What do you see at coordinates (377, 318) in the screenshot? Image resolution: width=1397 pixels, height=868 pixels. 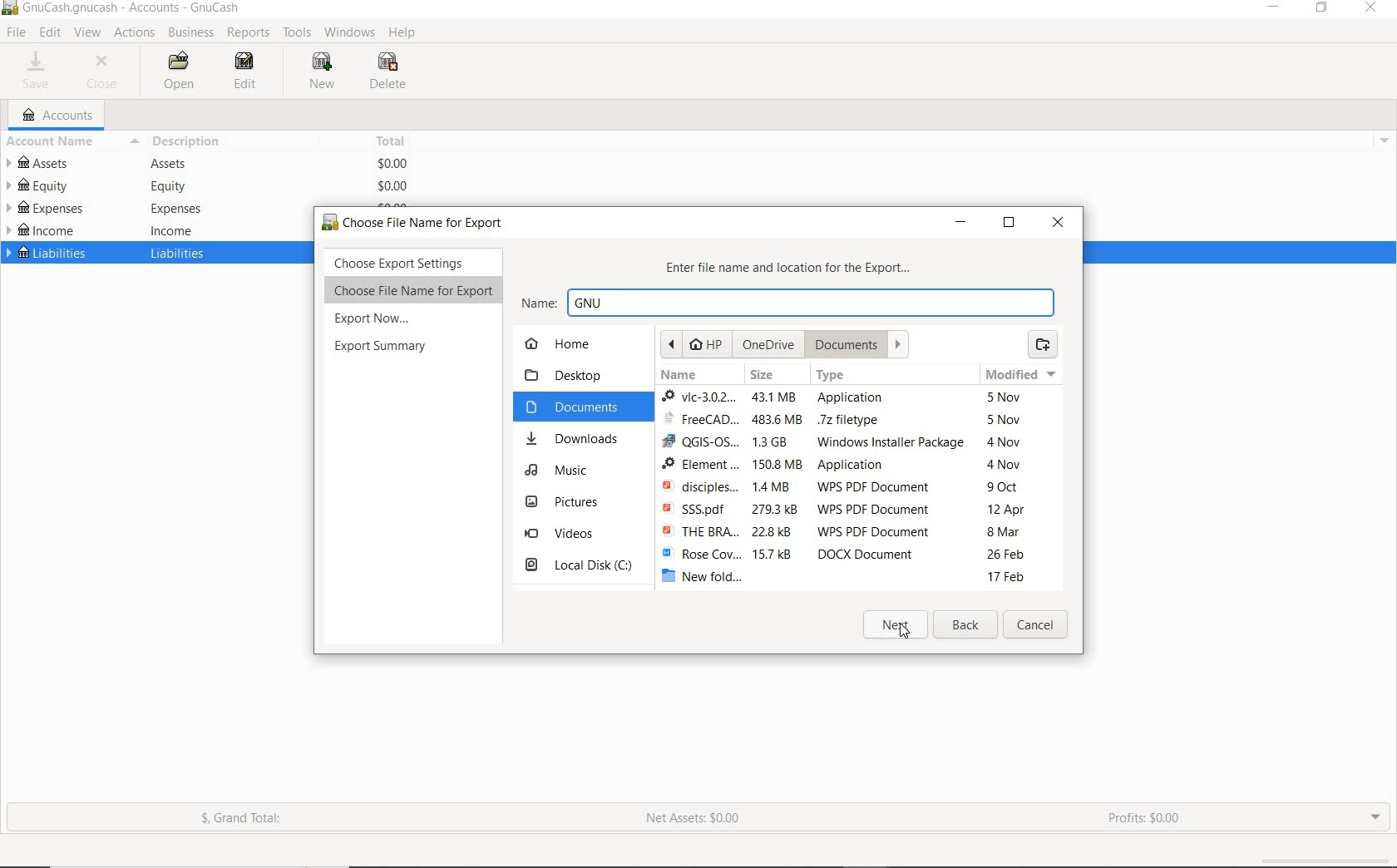 I see `export now...` at bounding box center [377, 318].